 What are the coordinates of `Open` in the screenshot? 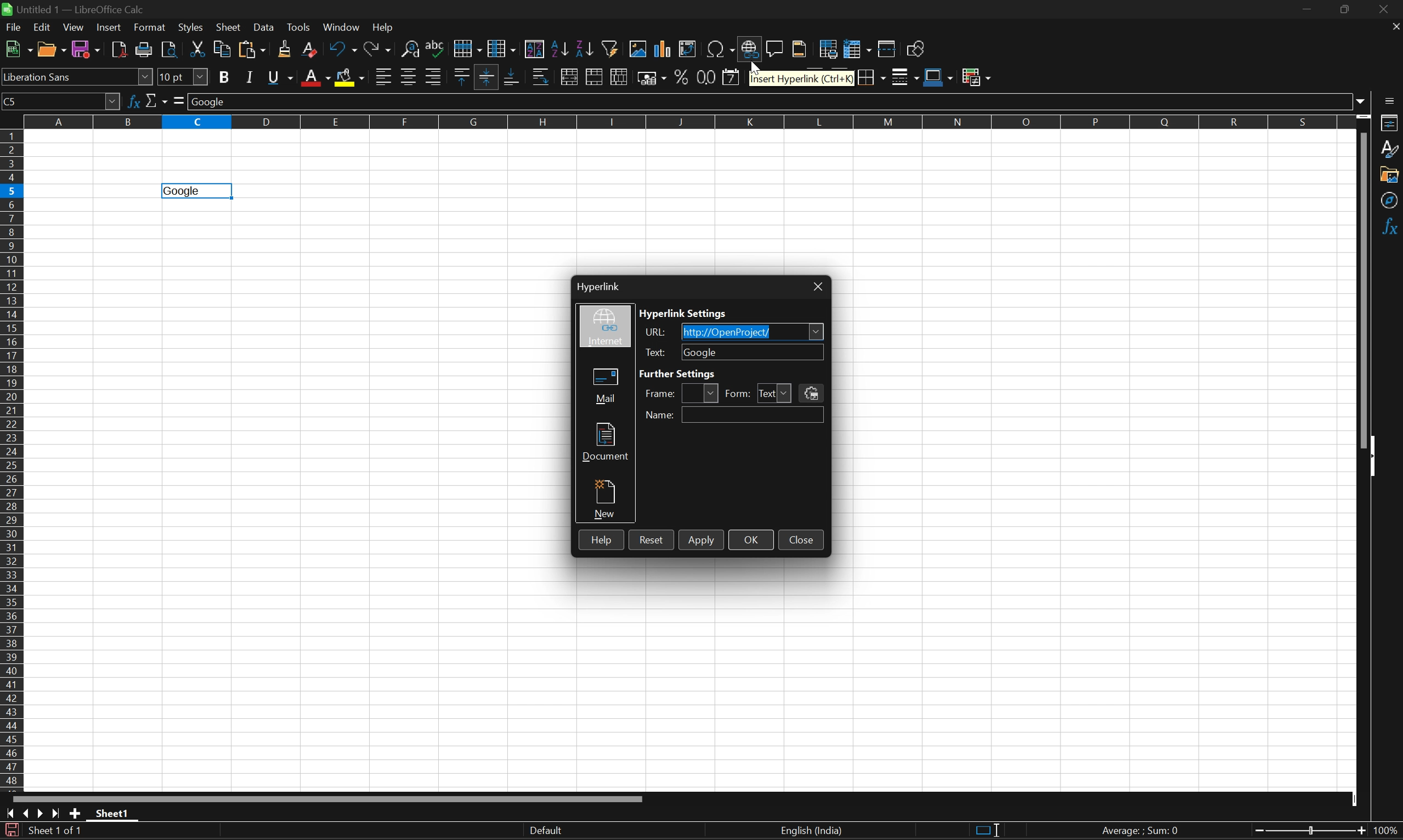 It's located at (52, 49).